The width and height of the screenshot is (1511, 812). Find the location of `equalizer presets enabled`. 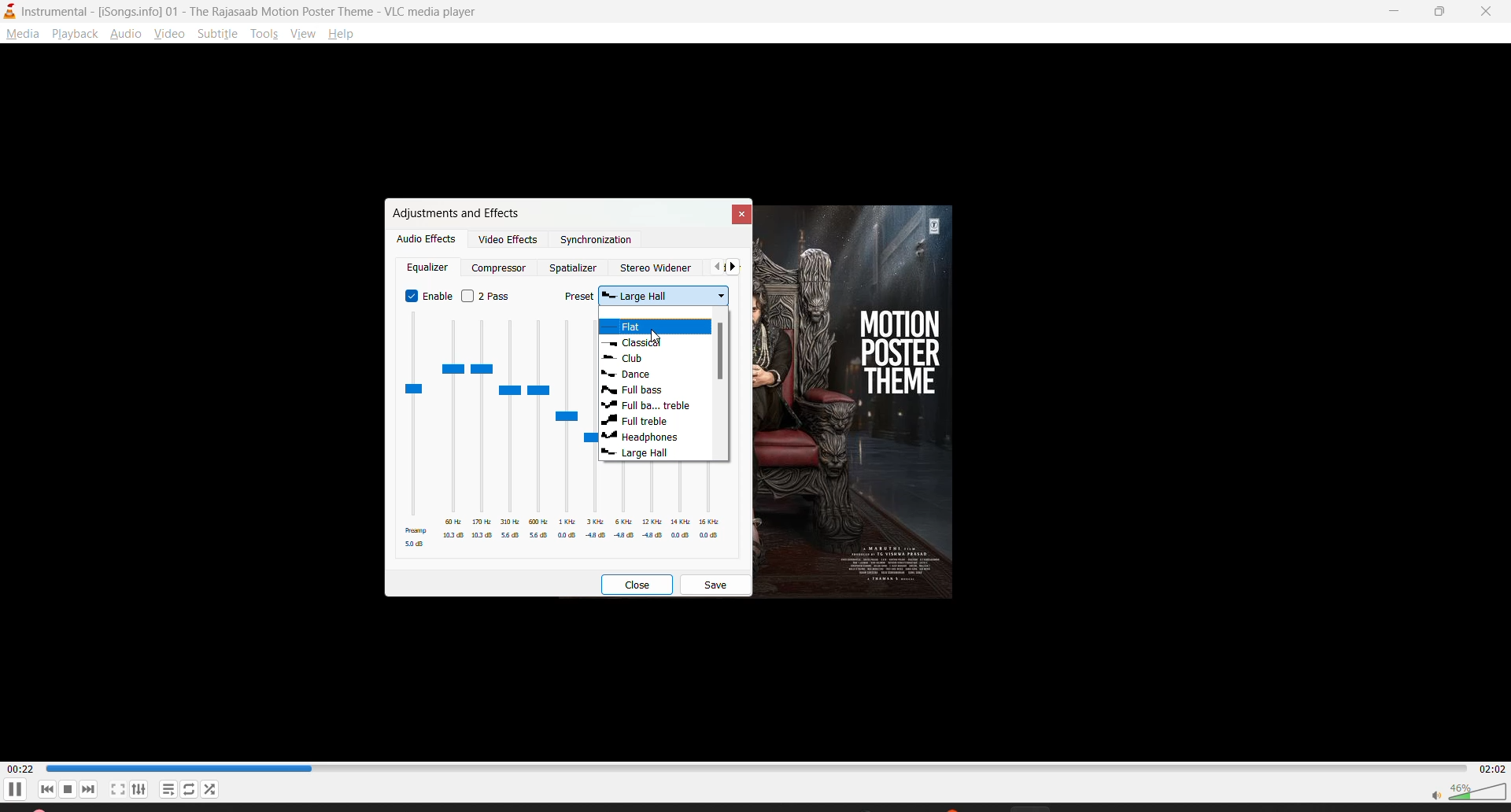

equalizer presets enabled is located at coordinates (493, 435).